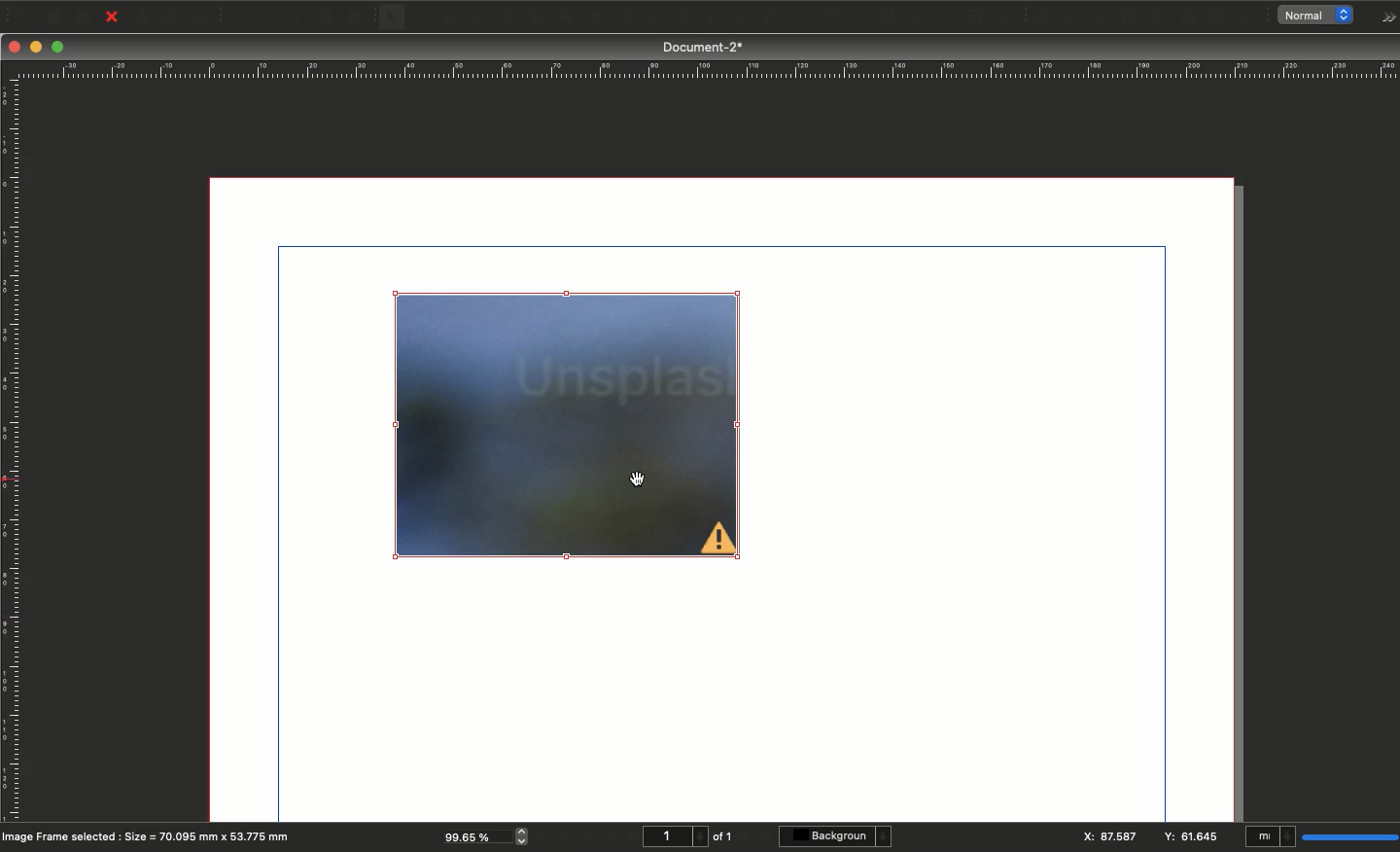 The height and width of the screenshot is (852, 1400). What do you see at coordinates (202, 17) in the screenshot?
I see `Save as PDF` at bounding box center [202, 17].